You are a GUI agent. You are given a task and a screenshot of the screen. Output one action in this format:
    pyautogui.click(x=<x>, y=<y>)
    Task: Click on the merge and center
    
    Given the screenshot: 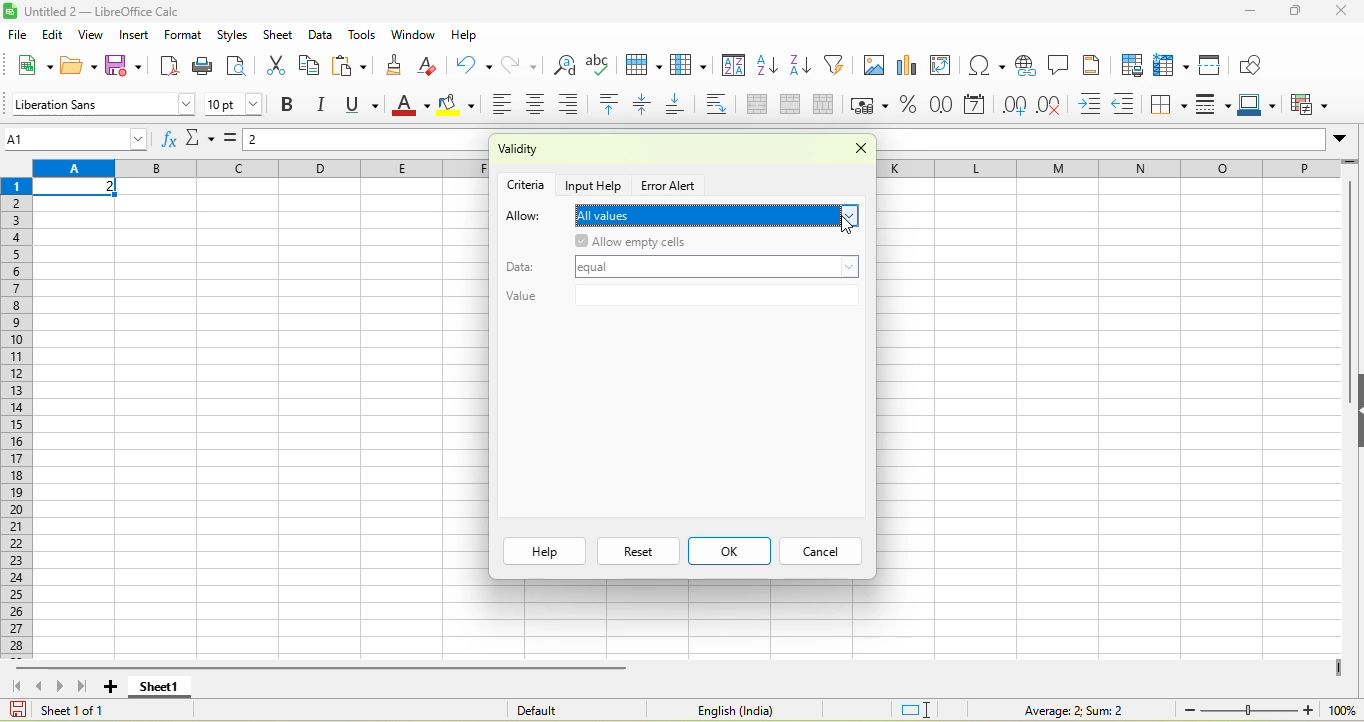 What is the action you would take?
    pyautogui.click(x=757, y=106)
    